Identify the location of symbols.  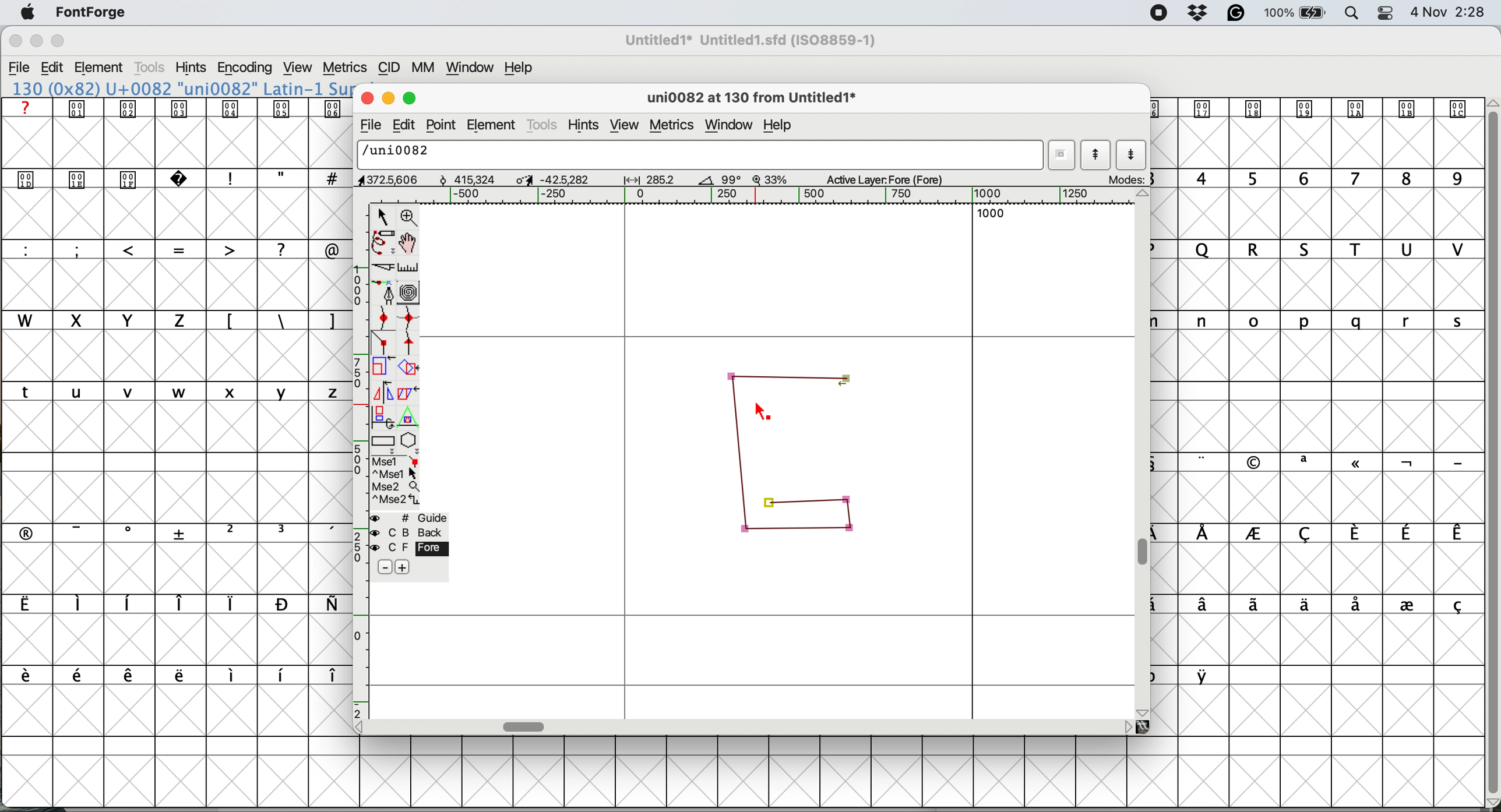
(181, 676).